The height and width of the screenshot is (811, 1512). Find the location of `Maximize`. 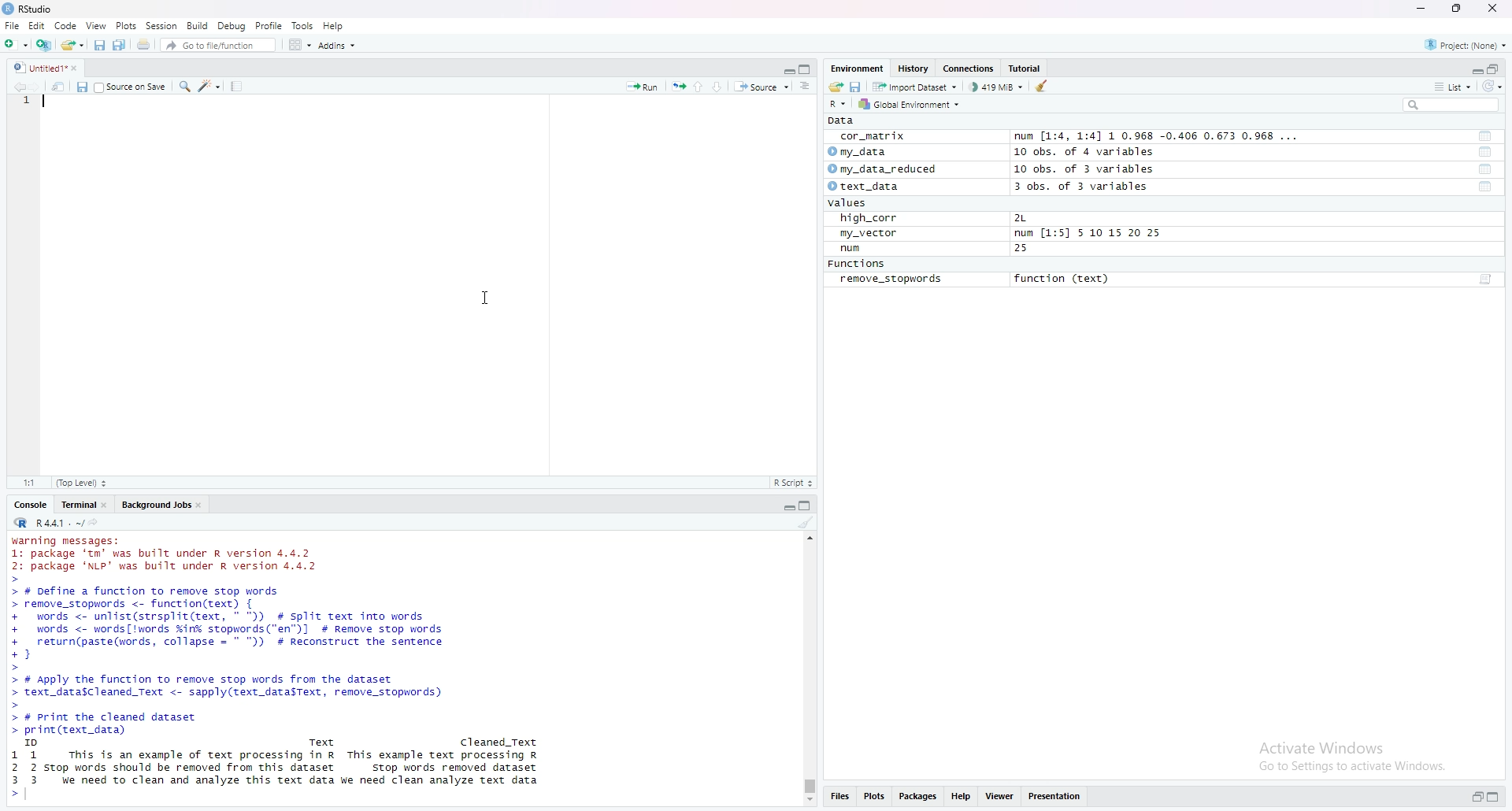

Maximize is located at coordinates (1493, 796).